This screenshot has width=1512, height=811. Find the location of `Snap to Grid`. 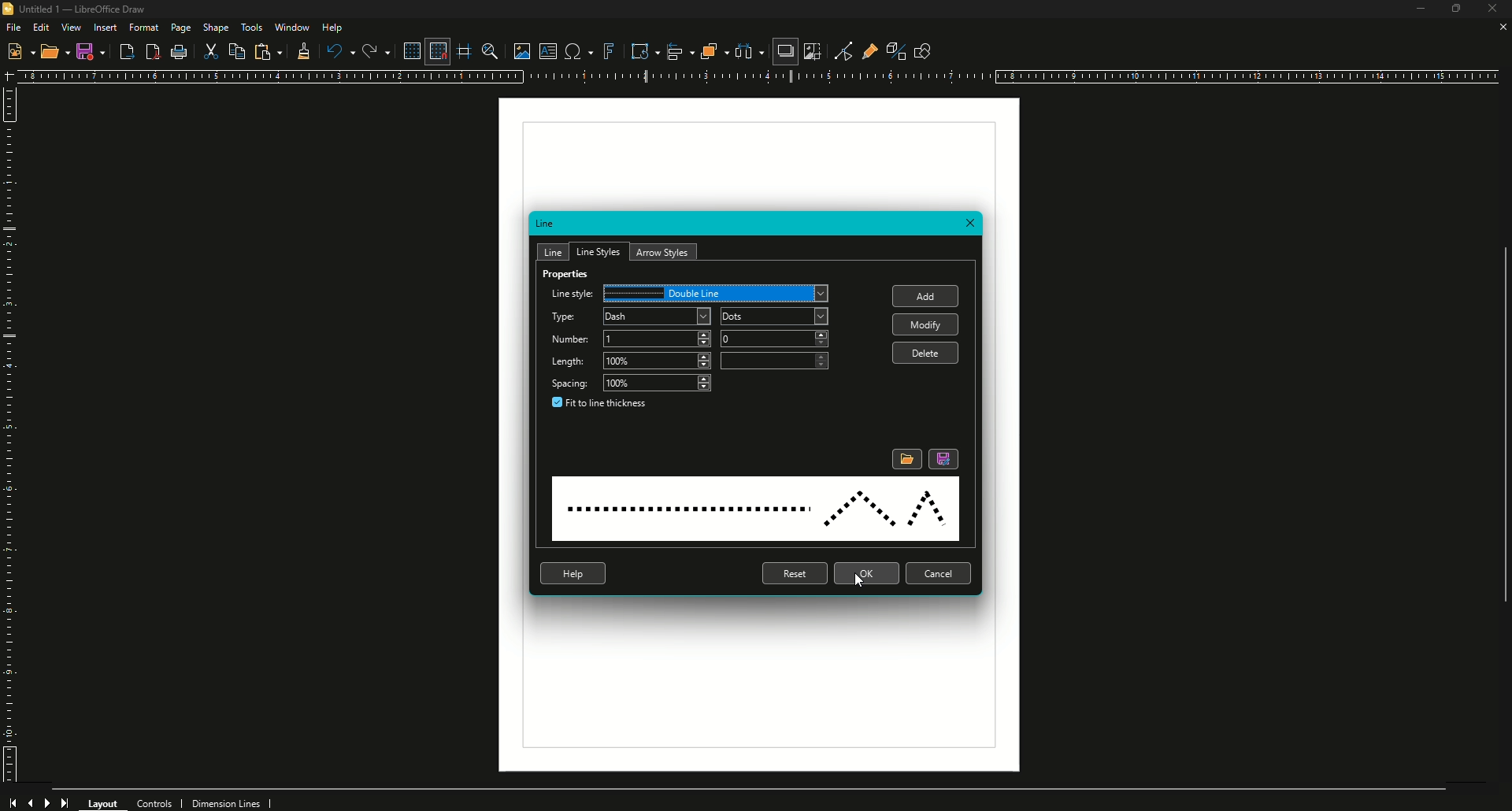

Snap to Grid is located at coordinates (436, 51).